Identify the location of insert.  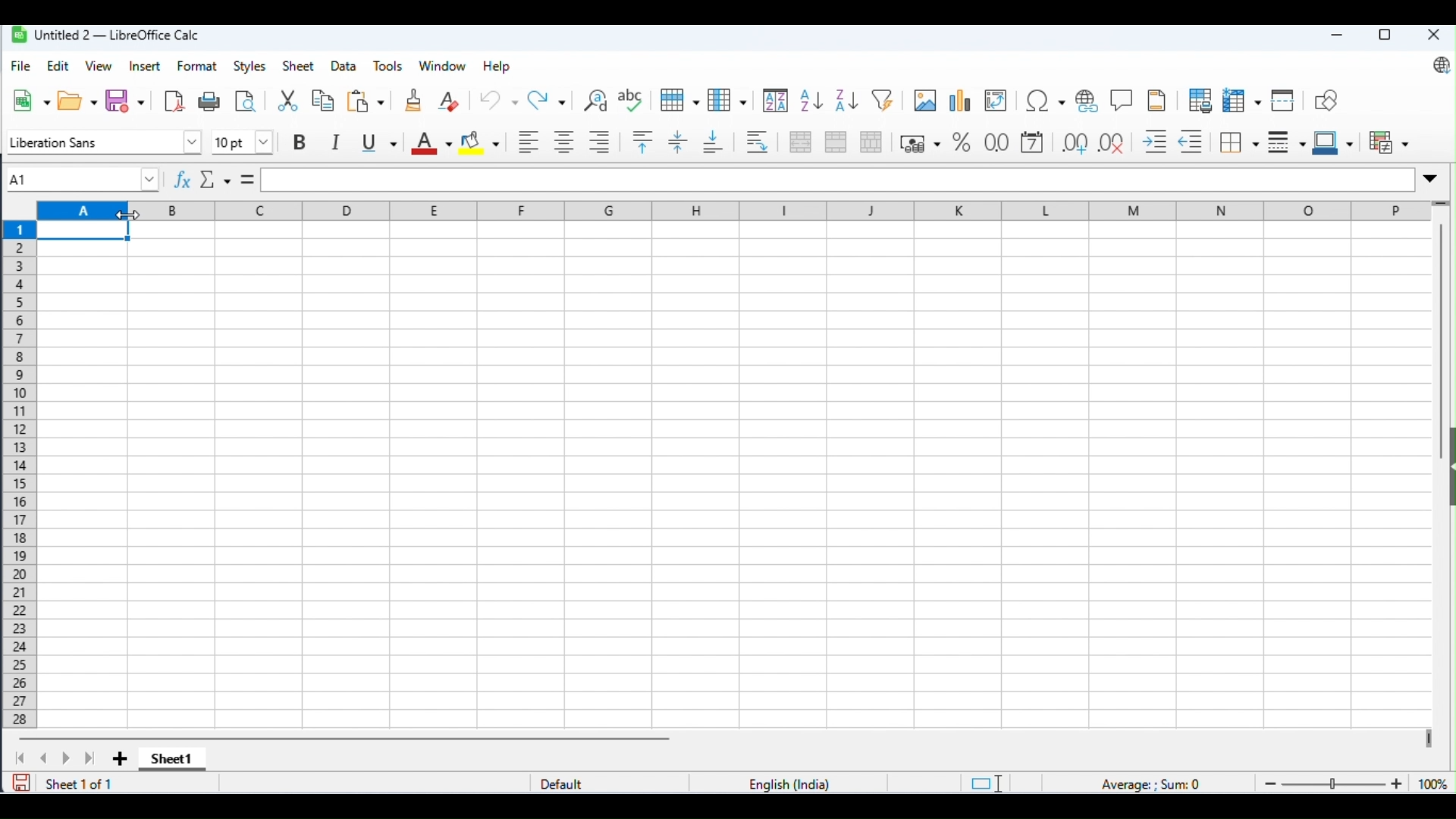
(146, 67).